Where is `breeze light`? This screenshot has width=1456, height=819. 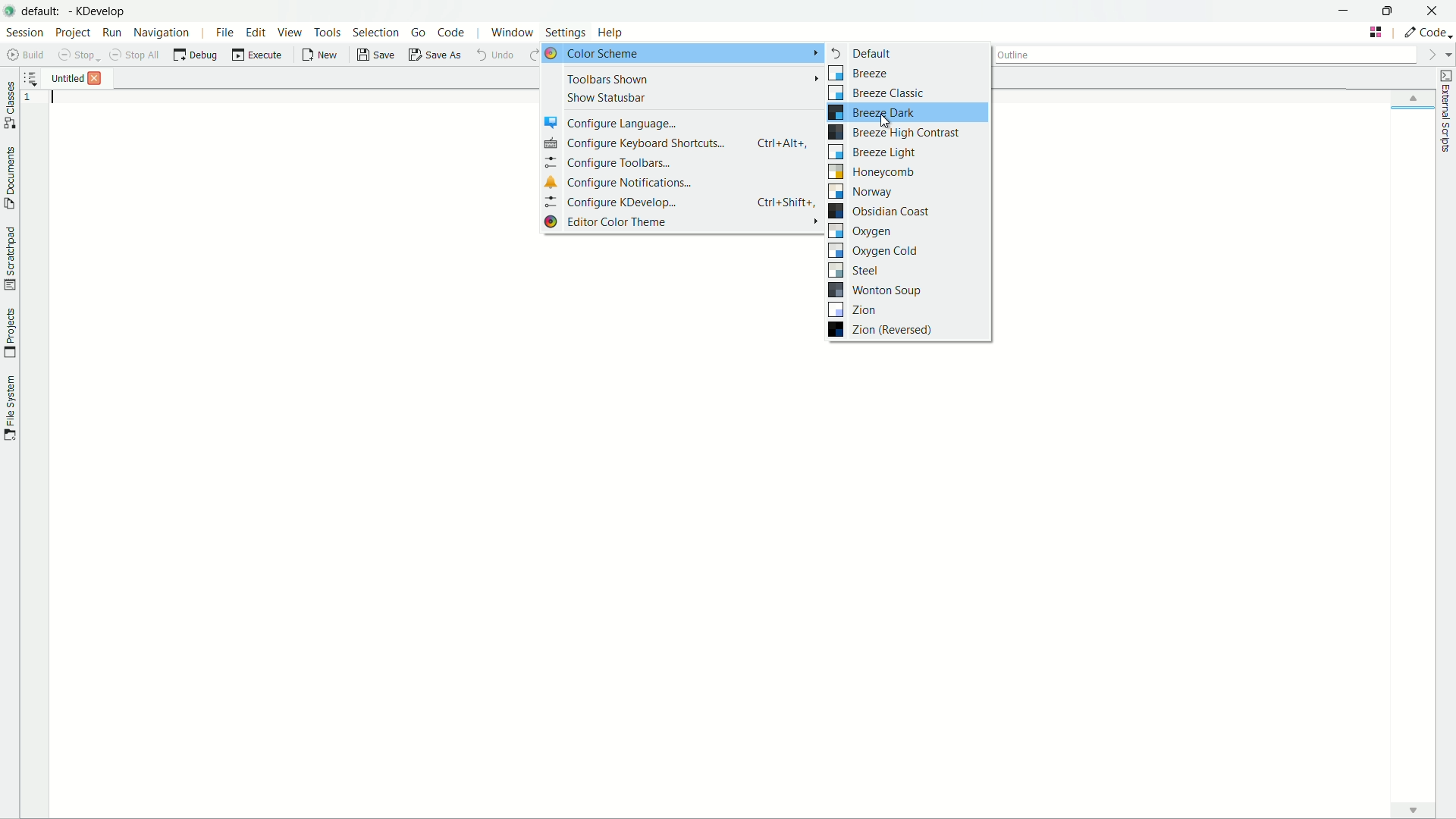
breeze light is located at coordinates (873, 151).